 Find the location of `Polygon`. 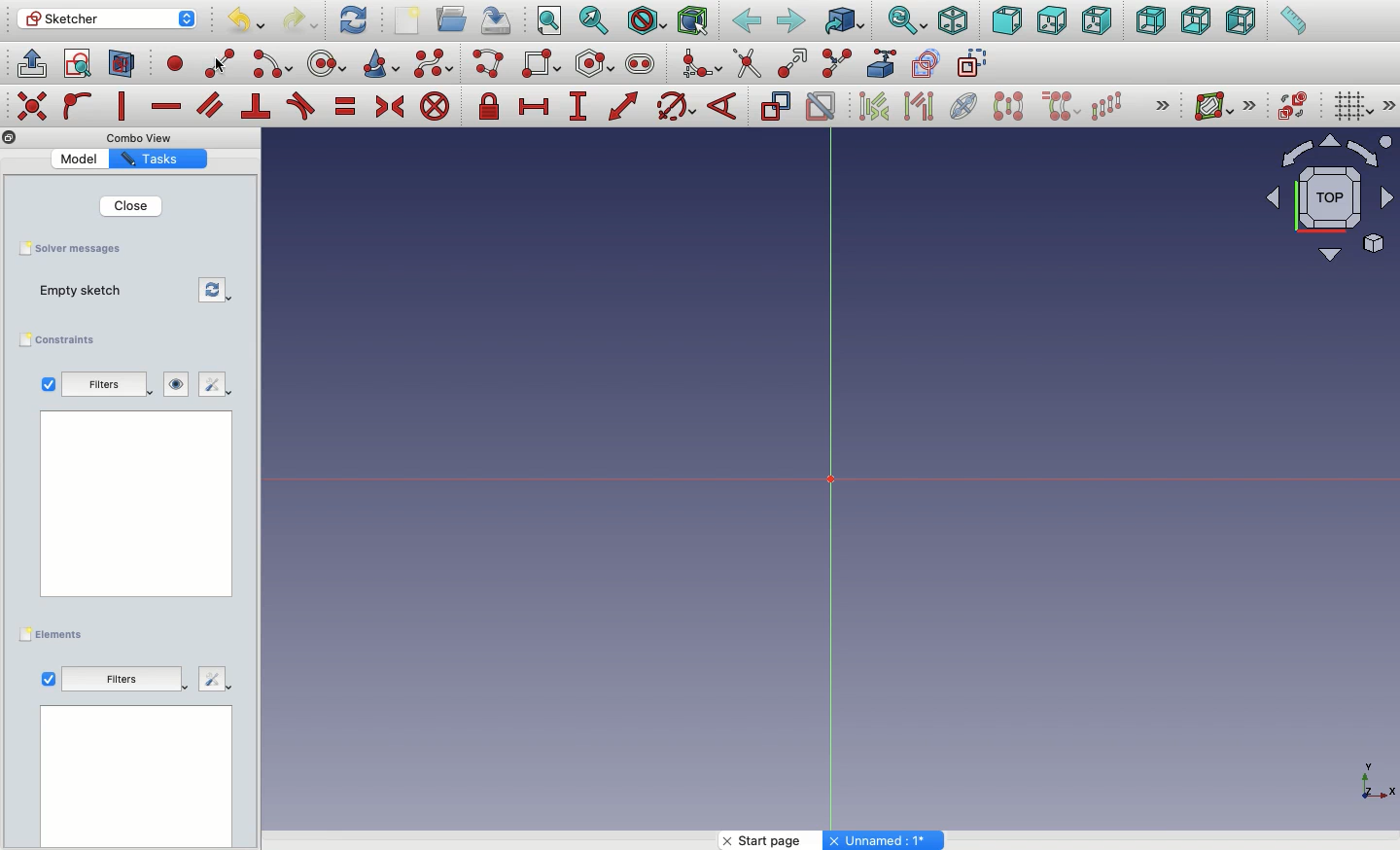

Polygon is located at coordinates (596, 64).